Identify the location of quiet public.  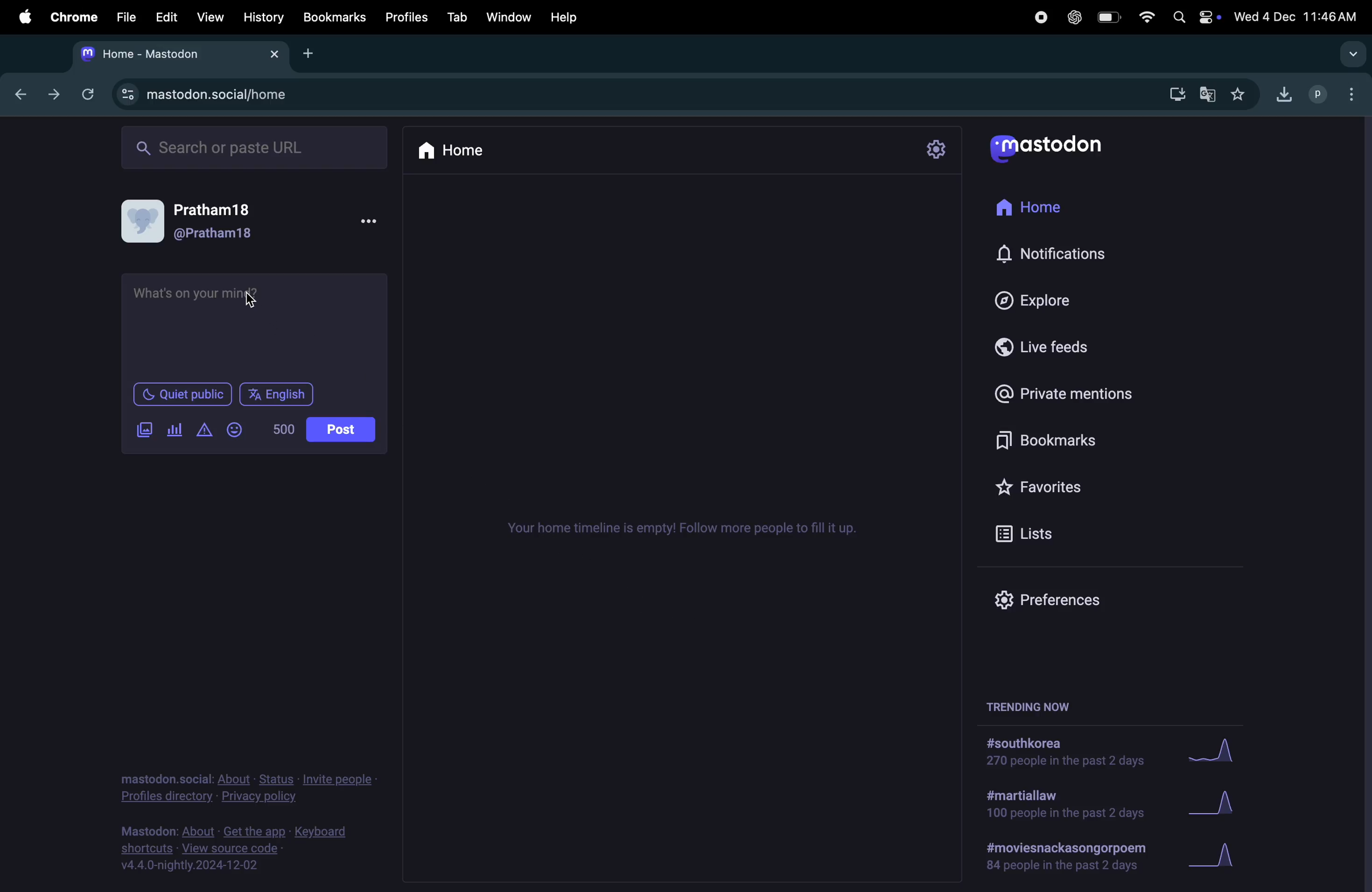
(181, 394).